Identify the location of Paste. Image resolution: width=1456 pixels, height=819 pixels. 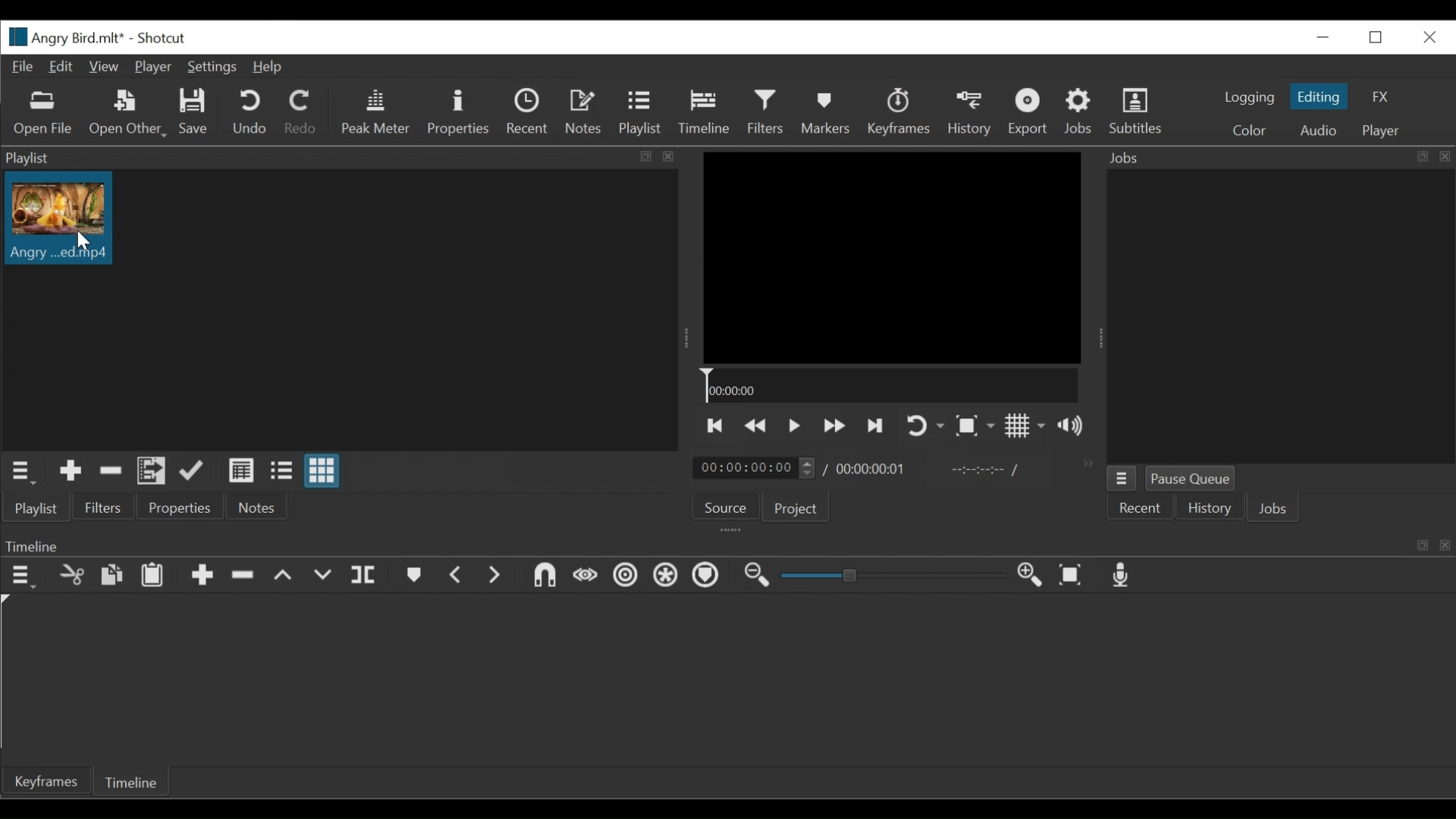
(154, 573).